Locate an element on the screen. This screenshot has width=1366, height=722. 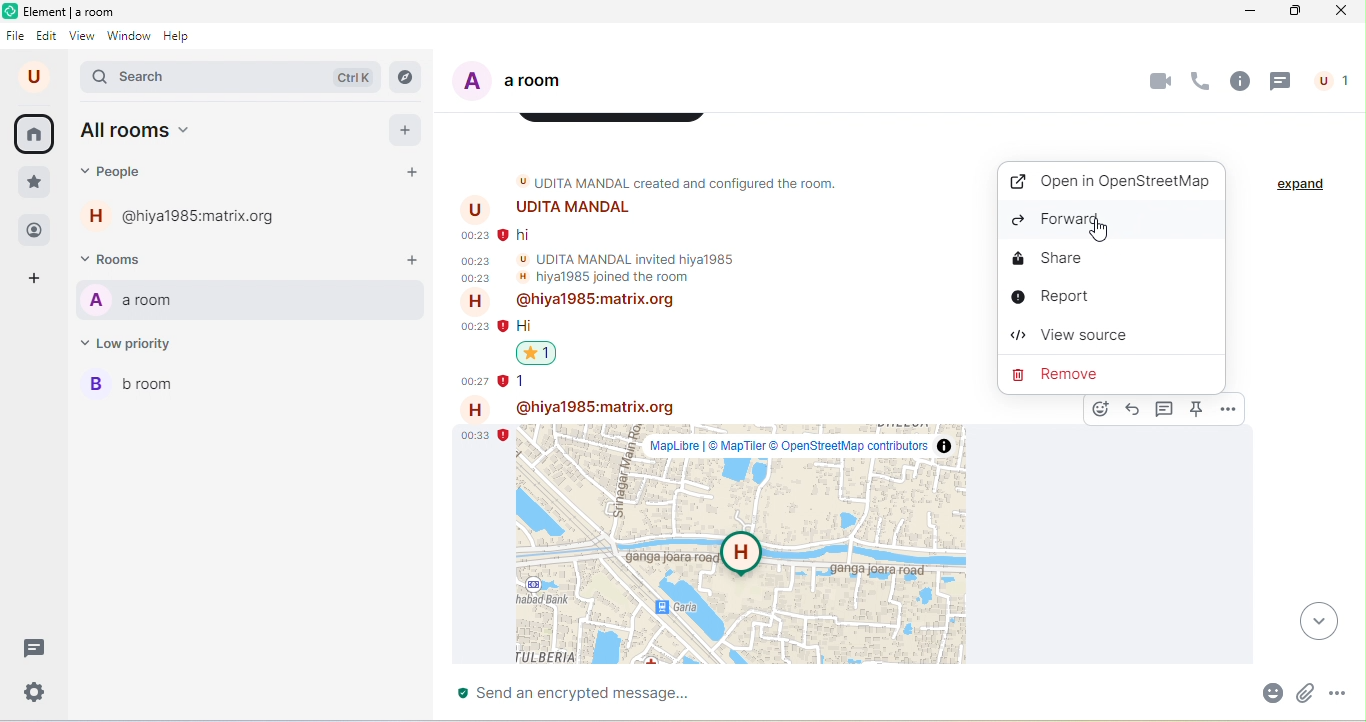
options is located at coordinates (1227, 407).